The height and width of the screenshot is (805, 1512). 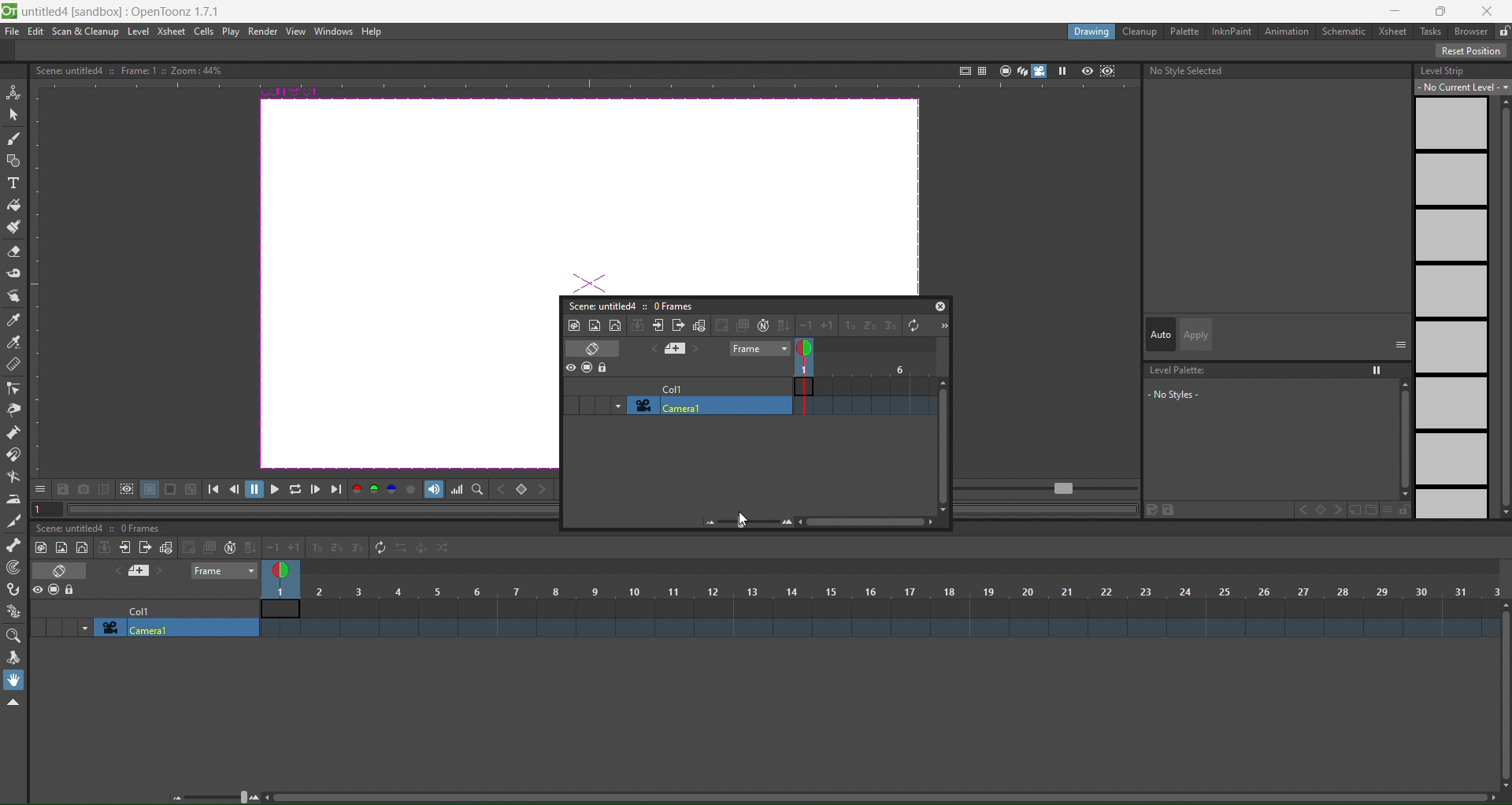 What do you see at coordinates (14, 139) in the screenshot?
I see `brush tool` at bounding box center [14, 139].